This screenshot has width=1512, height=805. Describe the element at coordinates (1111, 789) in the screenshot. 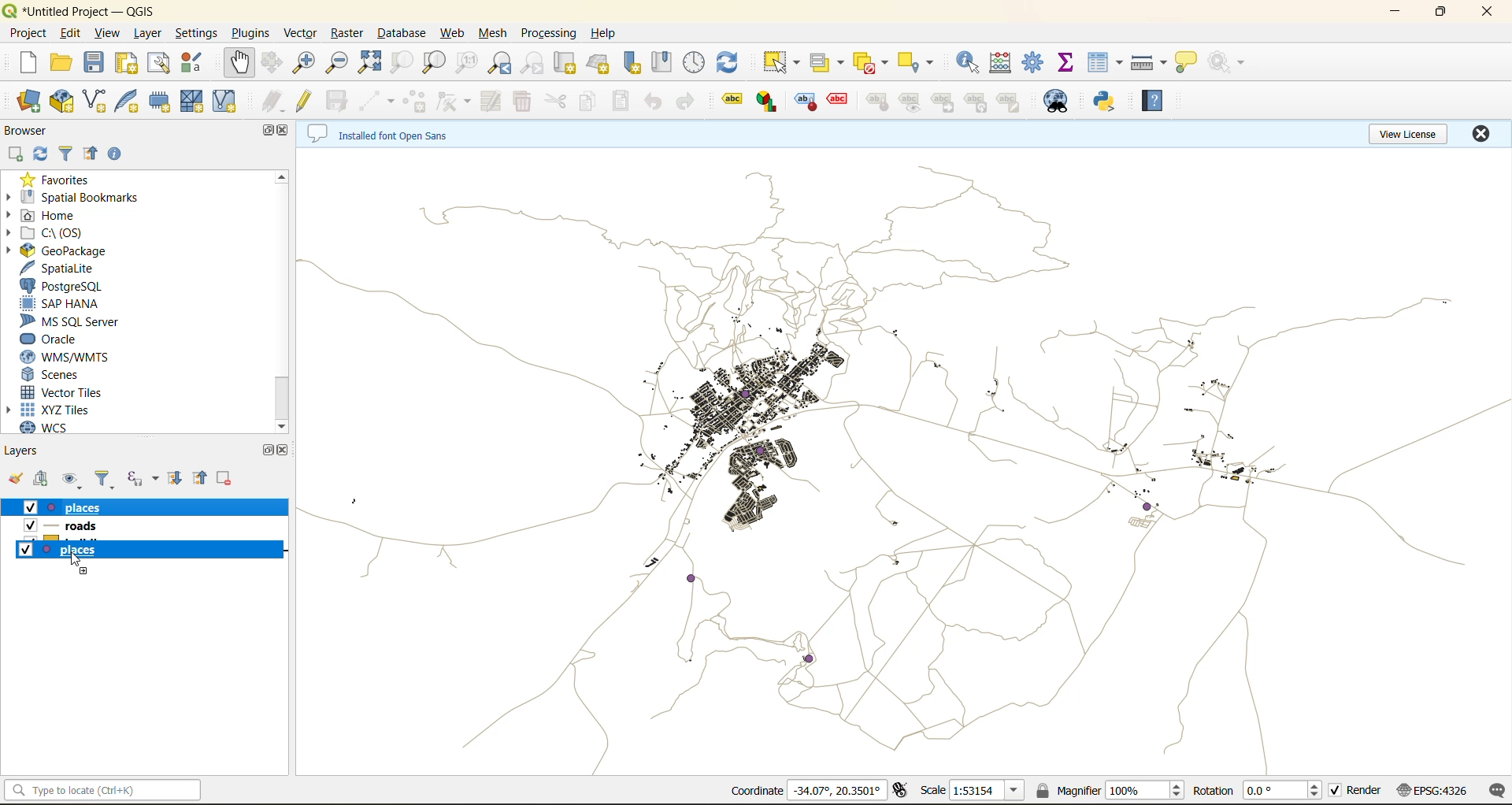

I see `magnifier` at that location.